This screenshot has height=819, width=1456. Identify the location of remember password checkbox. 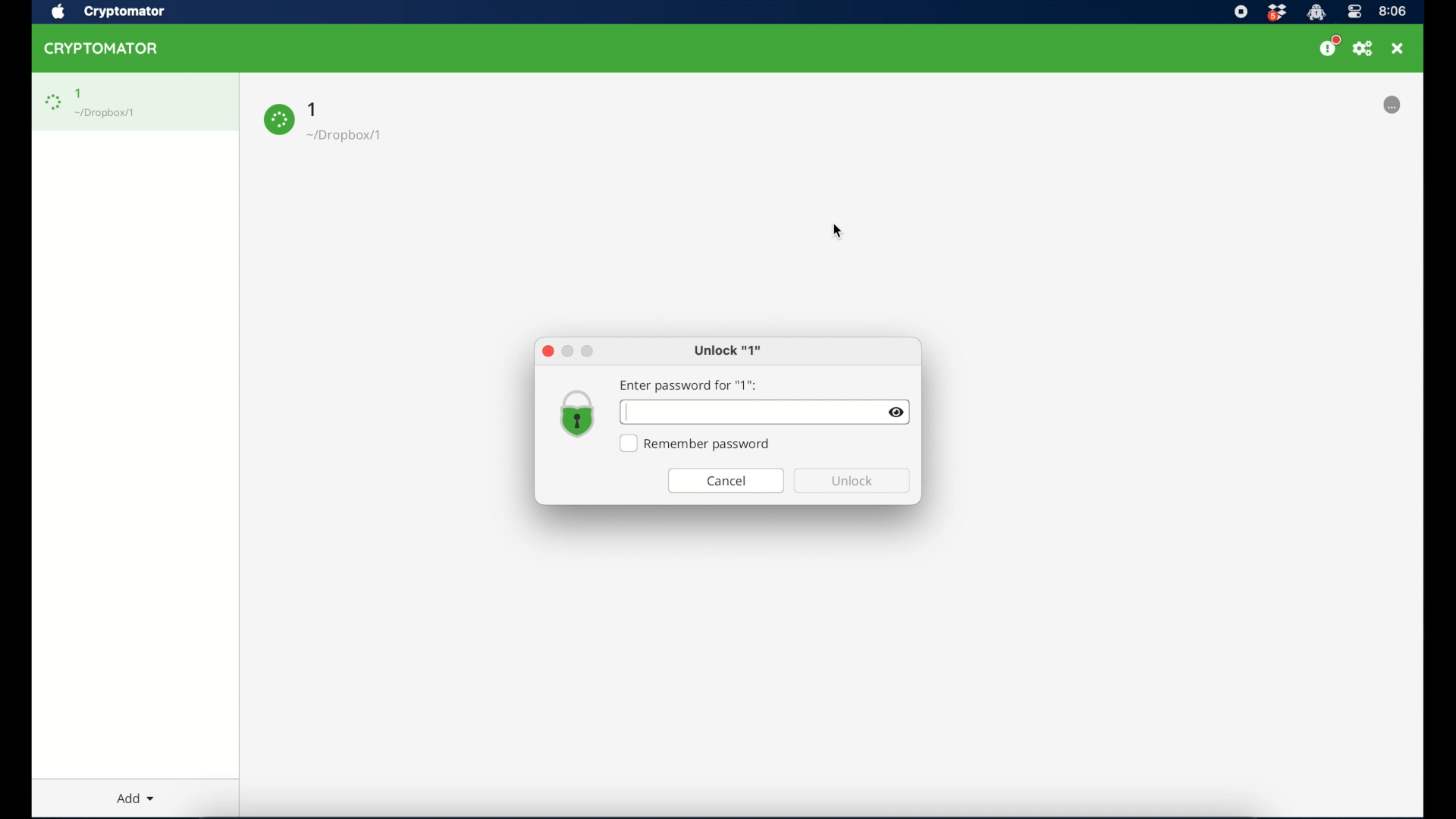
(695, 444).